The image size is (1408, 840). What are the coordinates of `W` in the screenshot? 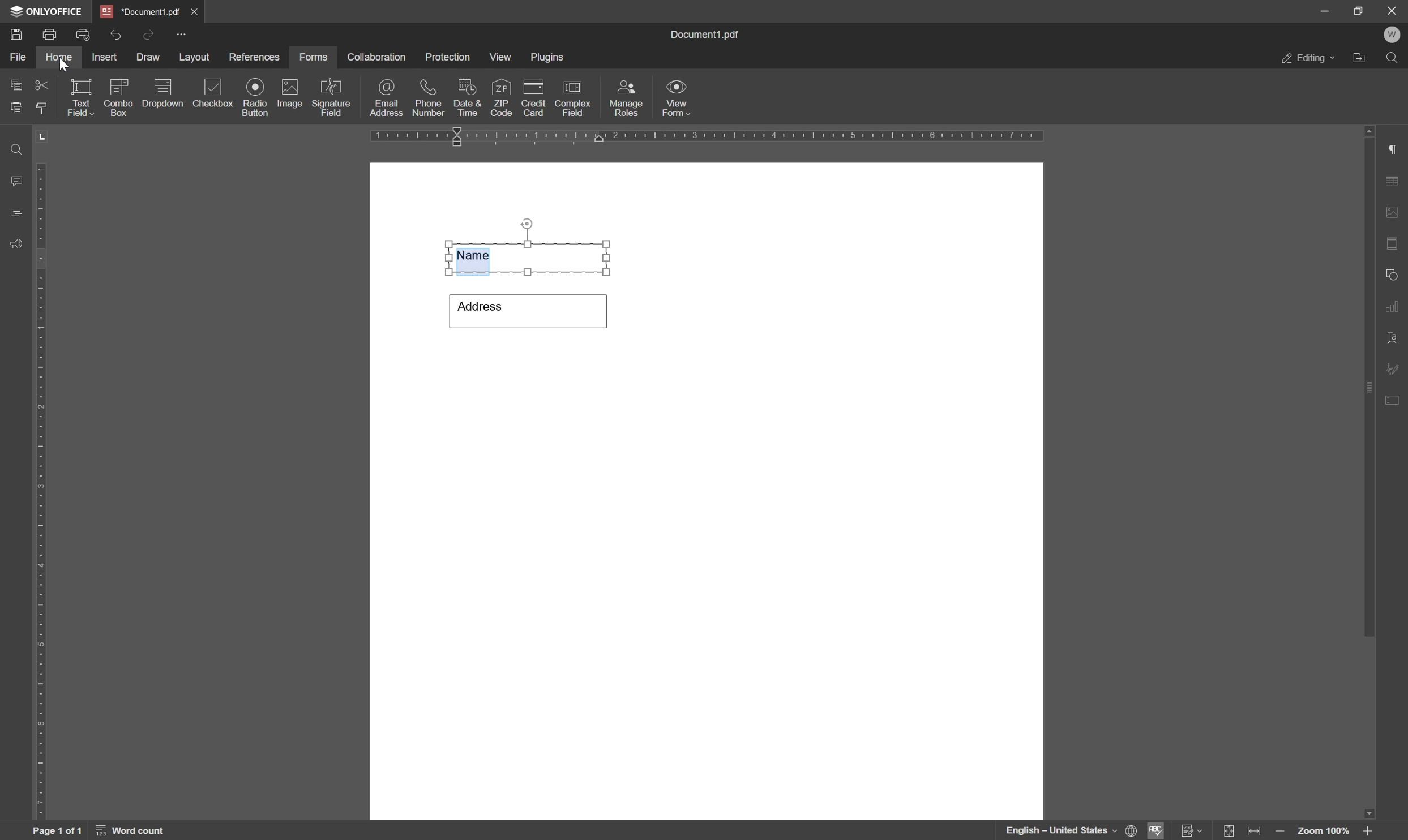 It's located at (1394, 35).